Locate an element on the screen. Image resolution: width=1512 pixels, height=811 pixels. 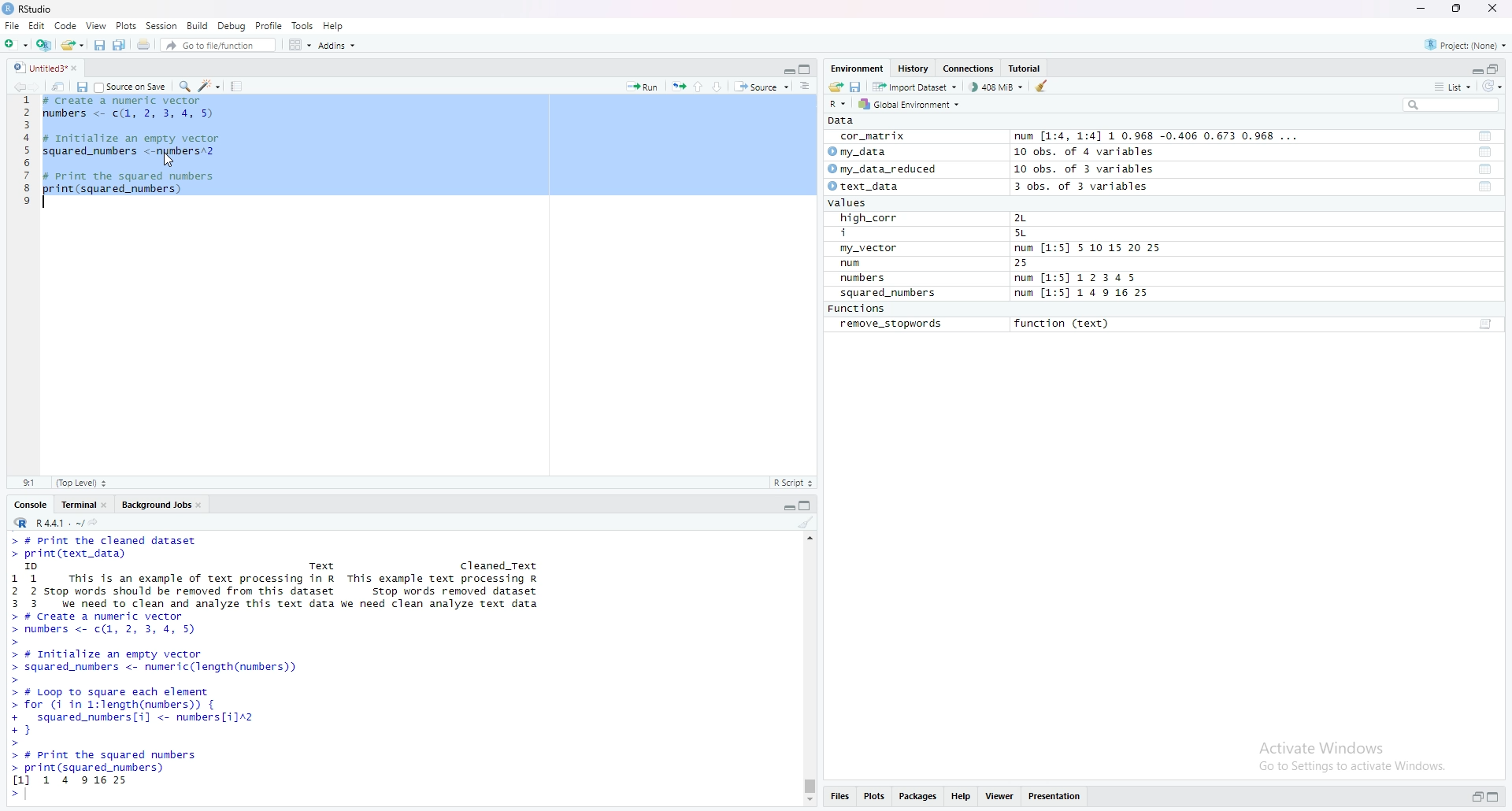
clear console is located at coordinates (806, 522).